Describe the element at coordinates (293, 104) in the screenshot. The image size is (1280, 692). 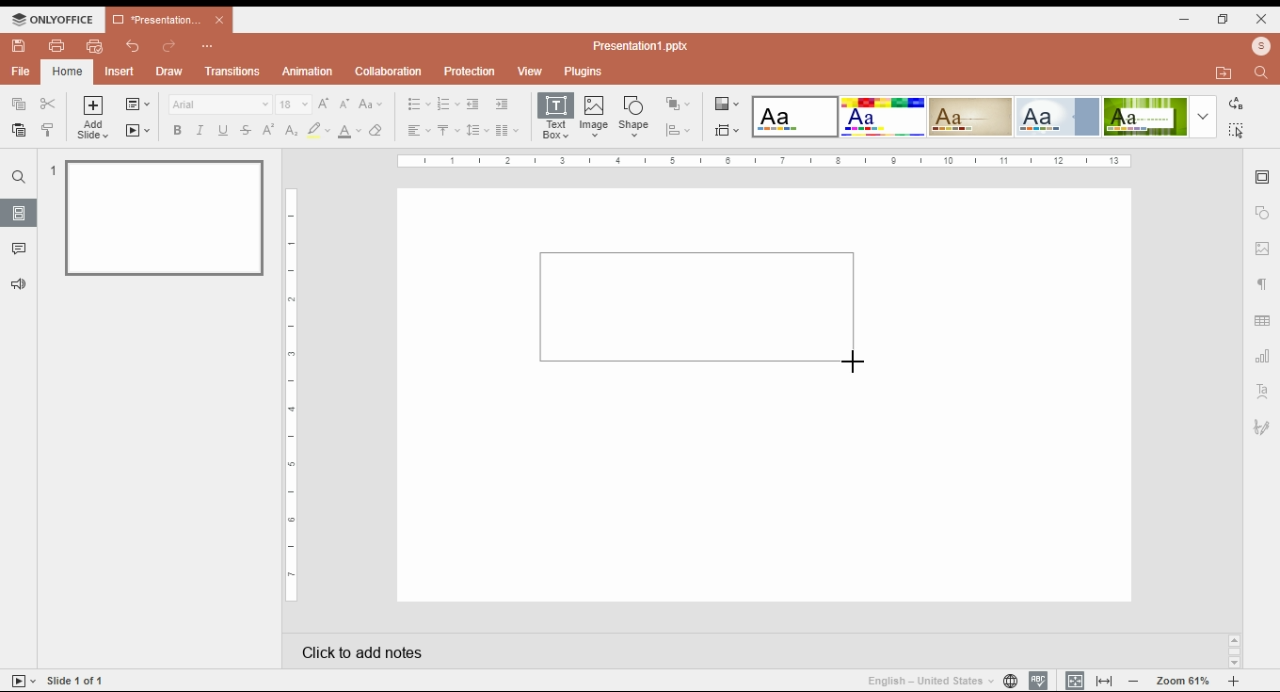
I see `font size` at that location.